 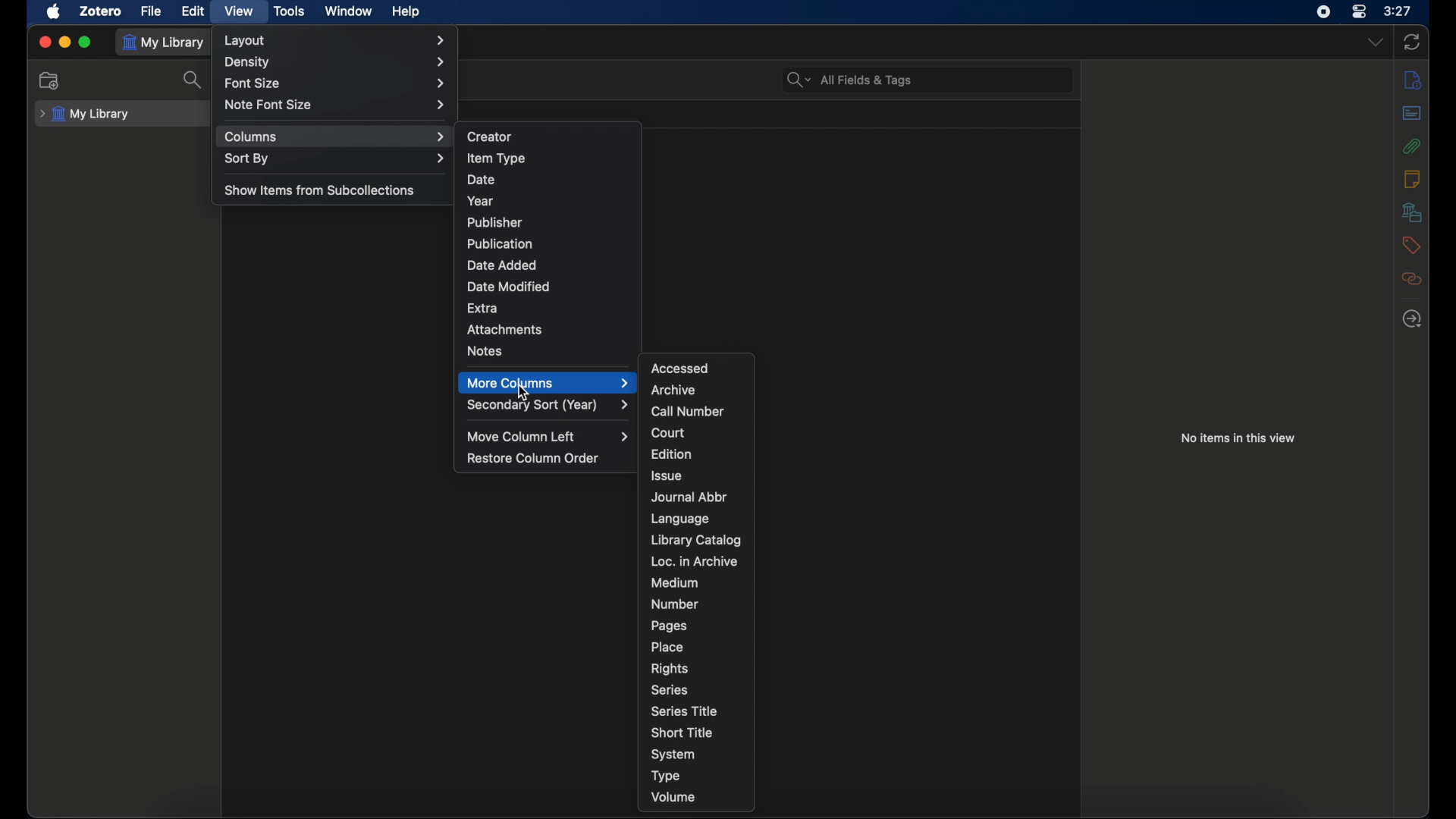 What do you see at coordinates (336, 84) in the screenshot?
I see `font size` at bounding box center [336, 84].